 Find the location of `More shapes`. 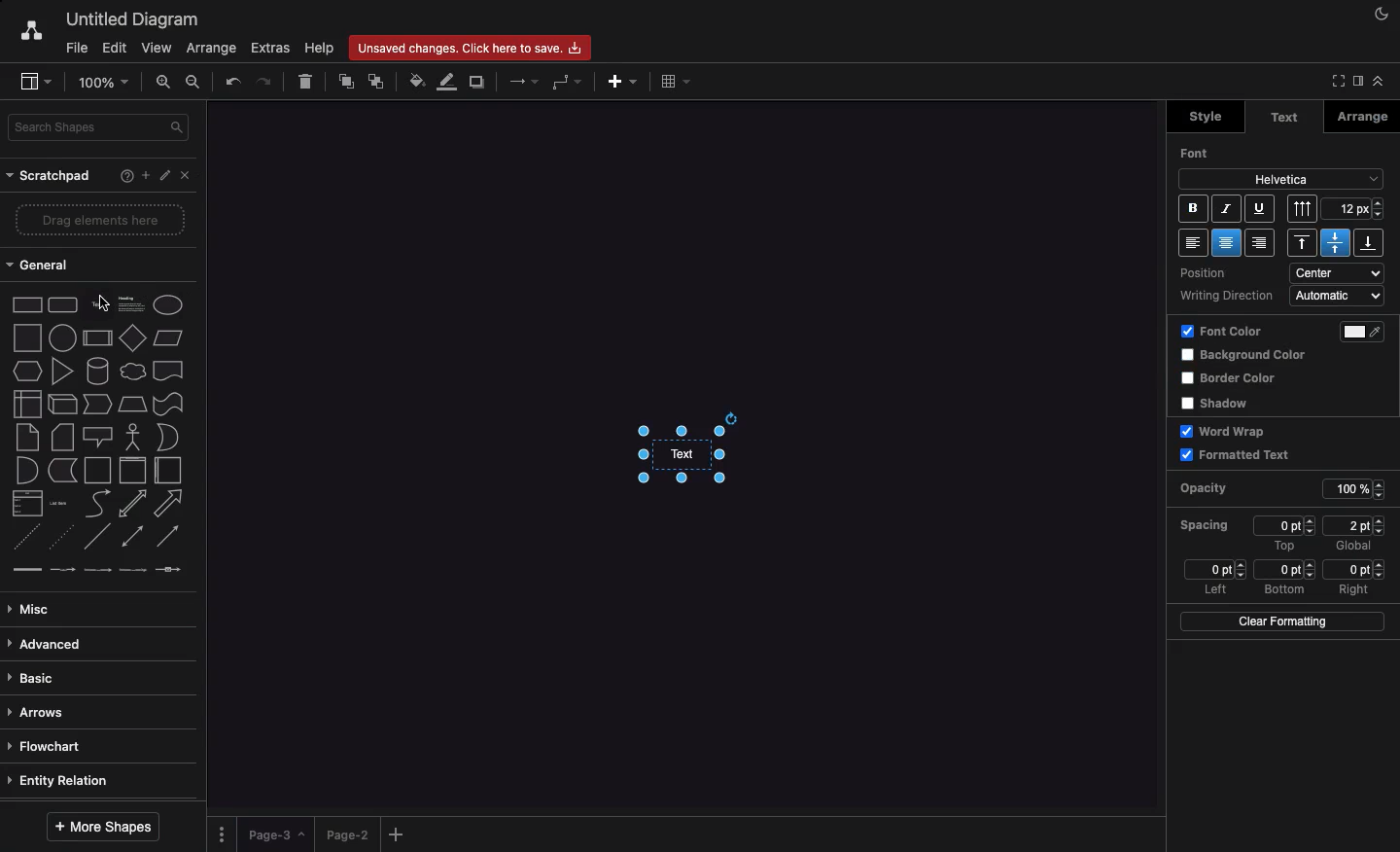

More shapes is located at coordinates (106, 826).